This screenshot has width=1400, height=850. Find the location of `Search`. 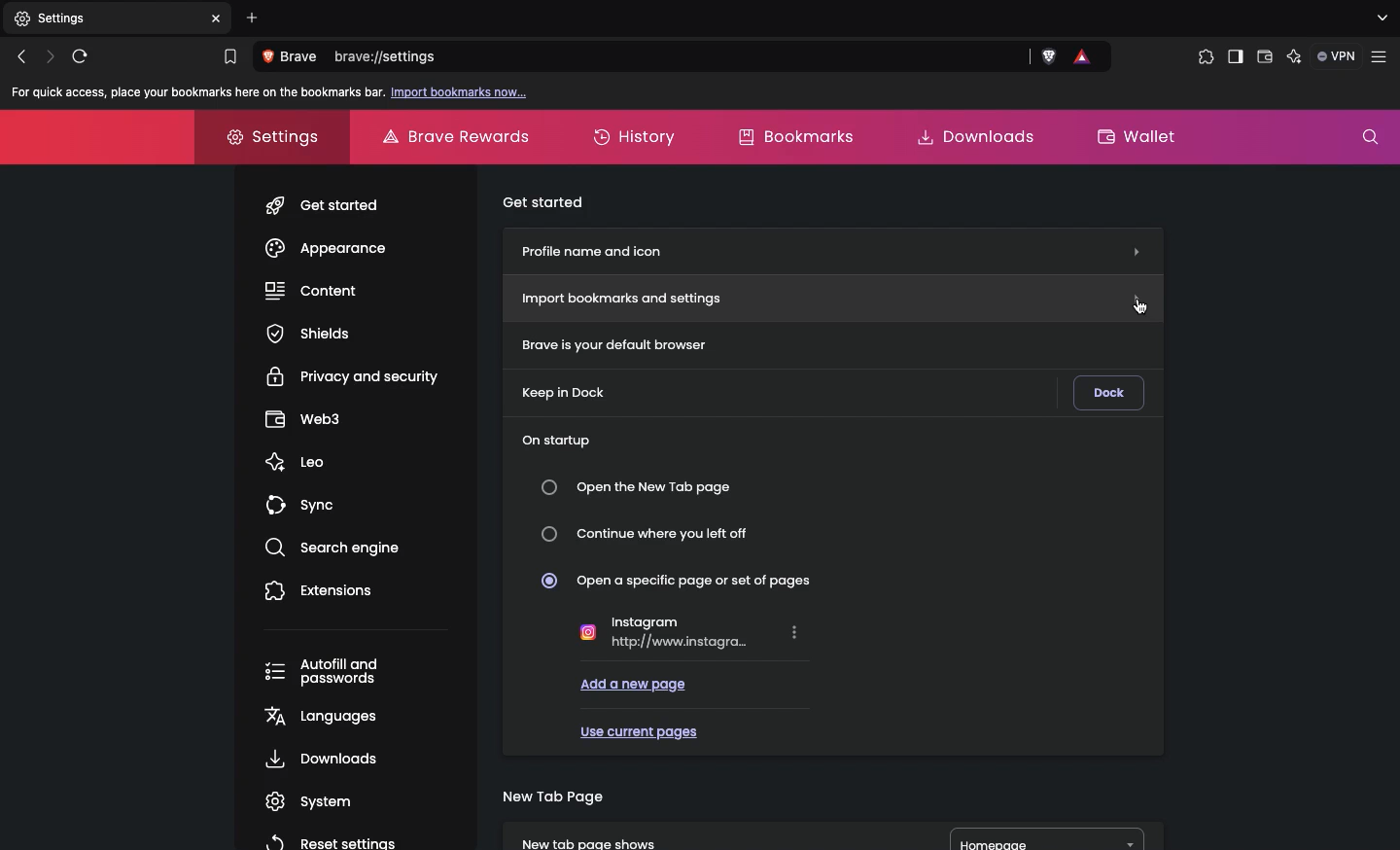

Search is located at coordinates (1370, 137).